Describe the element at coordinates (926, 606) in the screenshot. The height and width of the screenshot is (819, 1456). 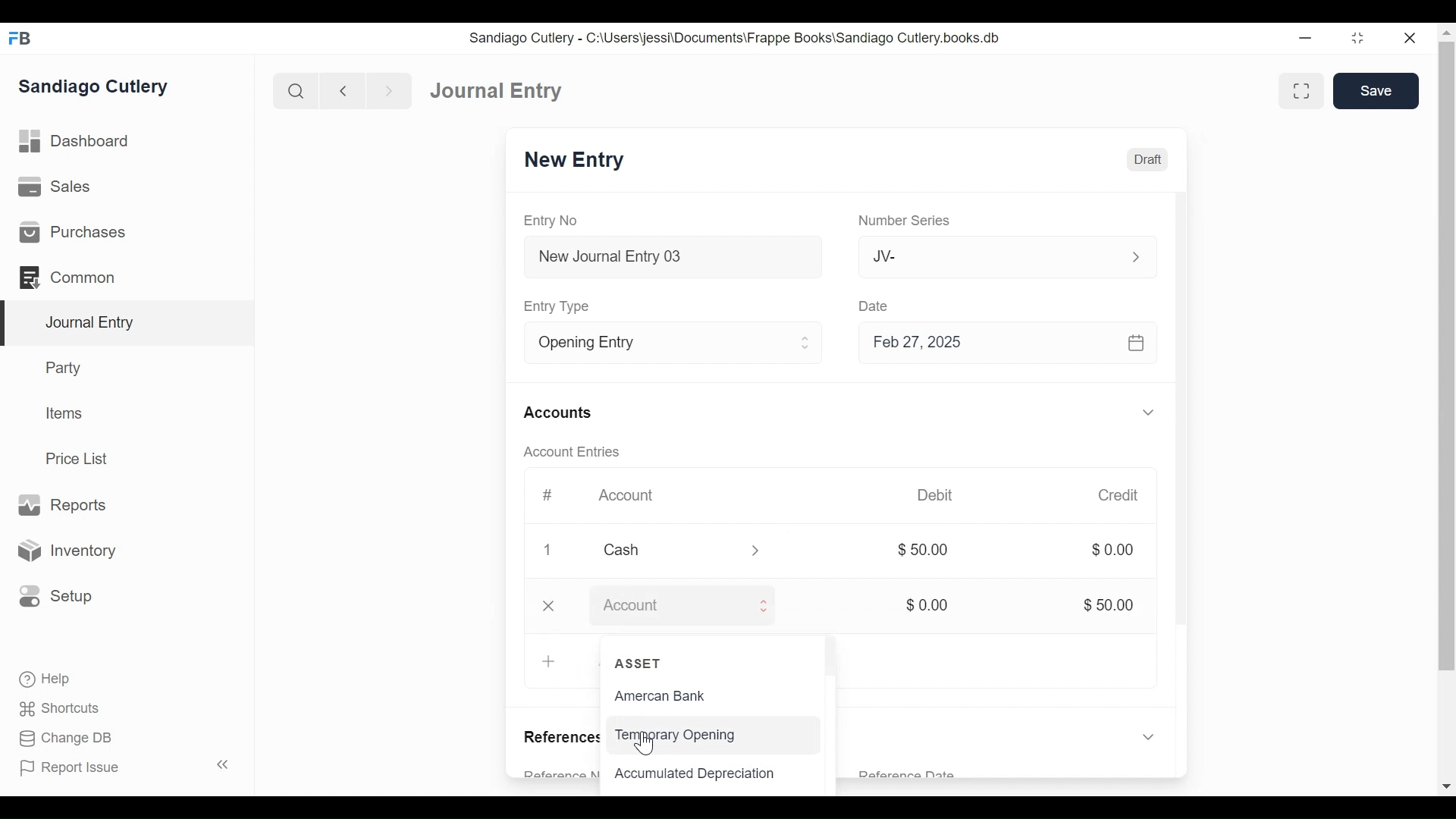
I see `$0.00` at that location.